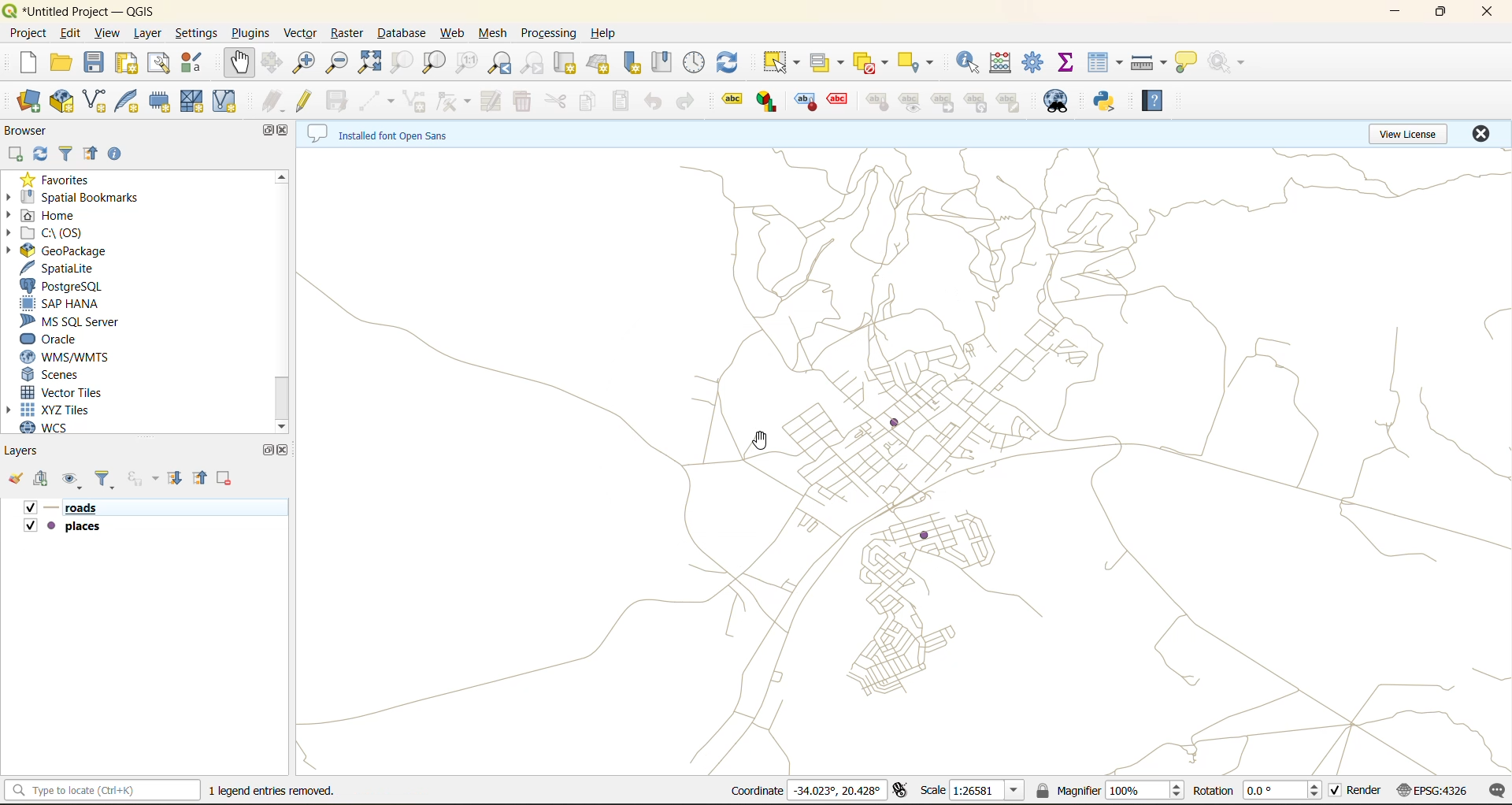 The width and height of the screenshot is (1512, 805). I want to click on statistical summary, so click(1071, 62).